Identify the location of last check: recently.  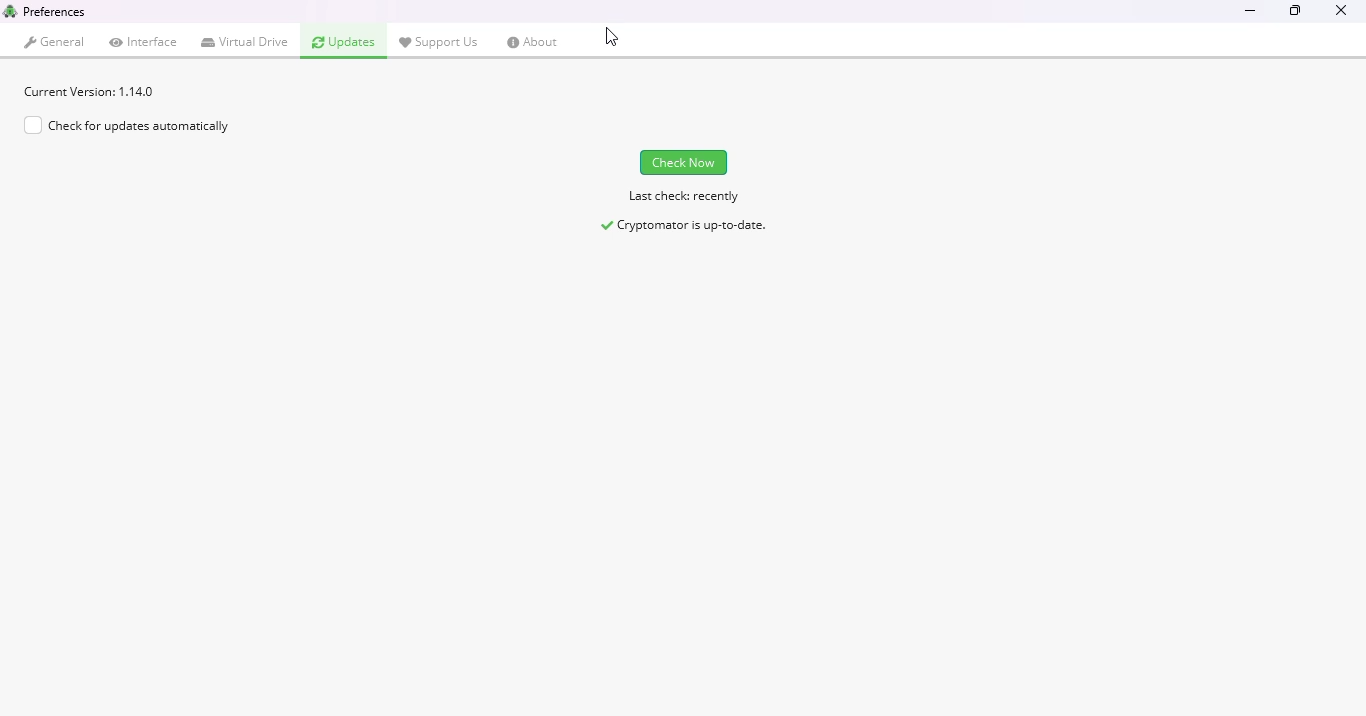
(683, 198).